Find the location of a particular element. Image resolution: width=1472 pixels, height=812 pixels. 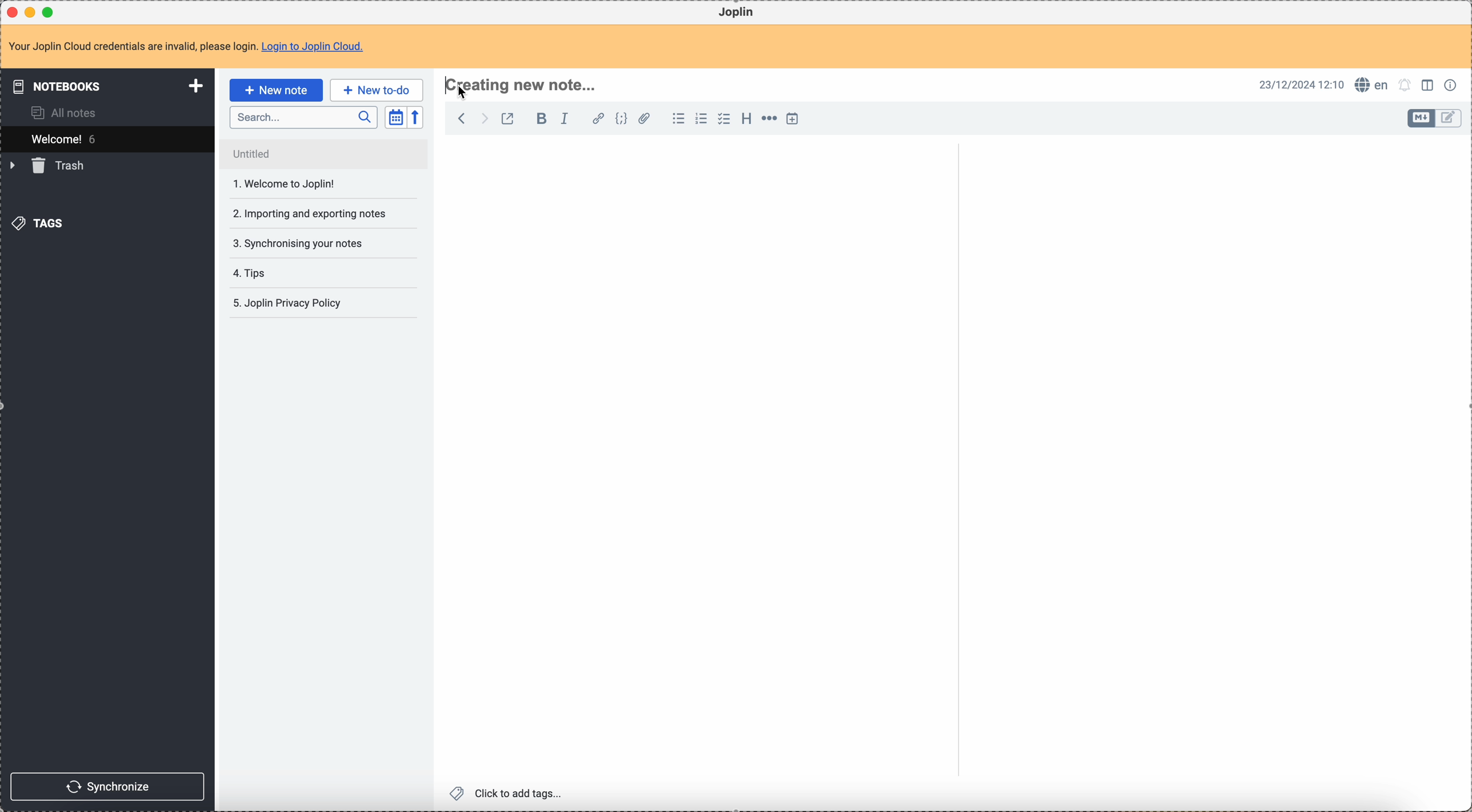

synchronising your notes is located at coordinates (303, 214).